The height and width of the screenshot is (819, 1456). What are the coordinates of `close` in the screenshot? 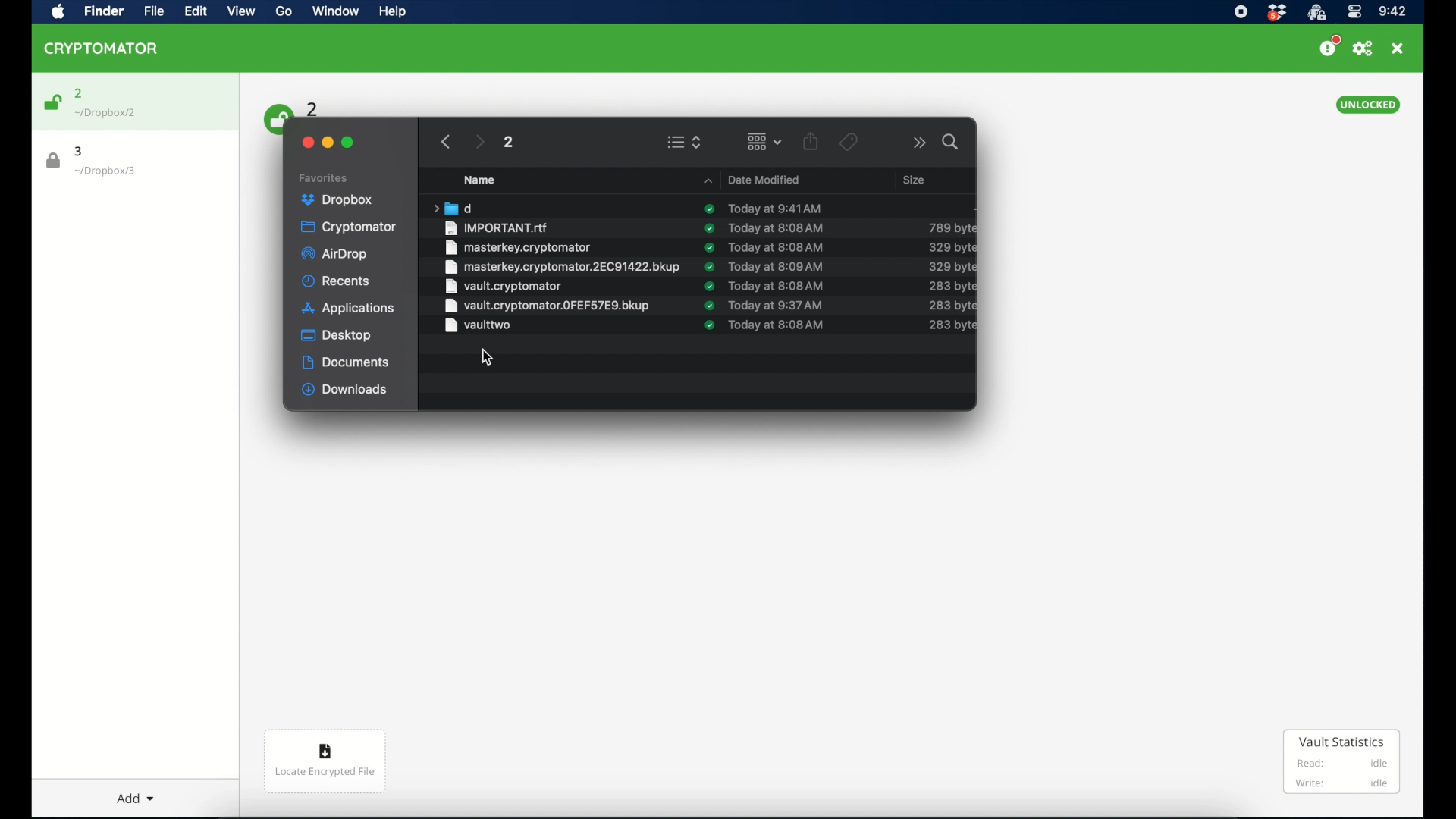 It's located at (306, 143).